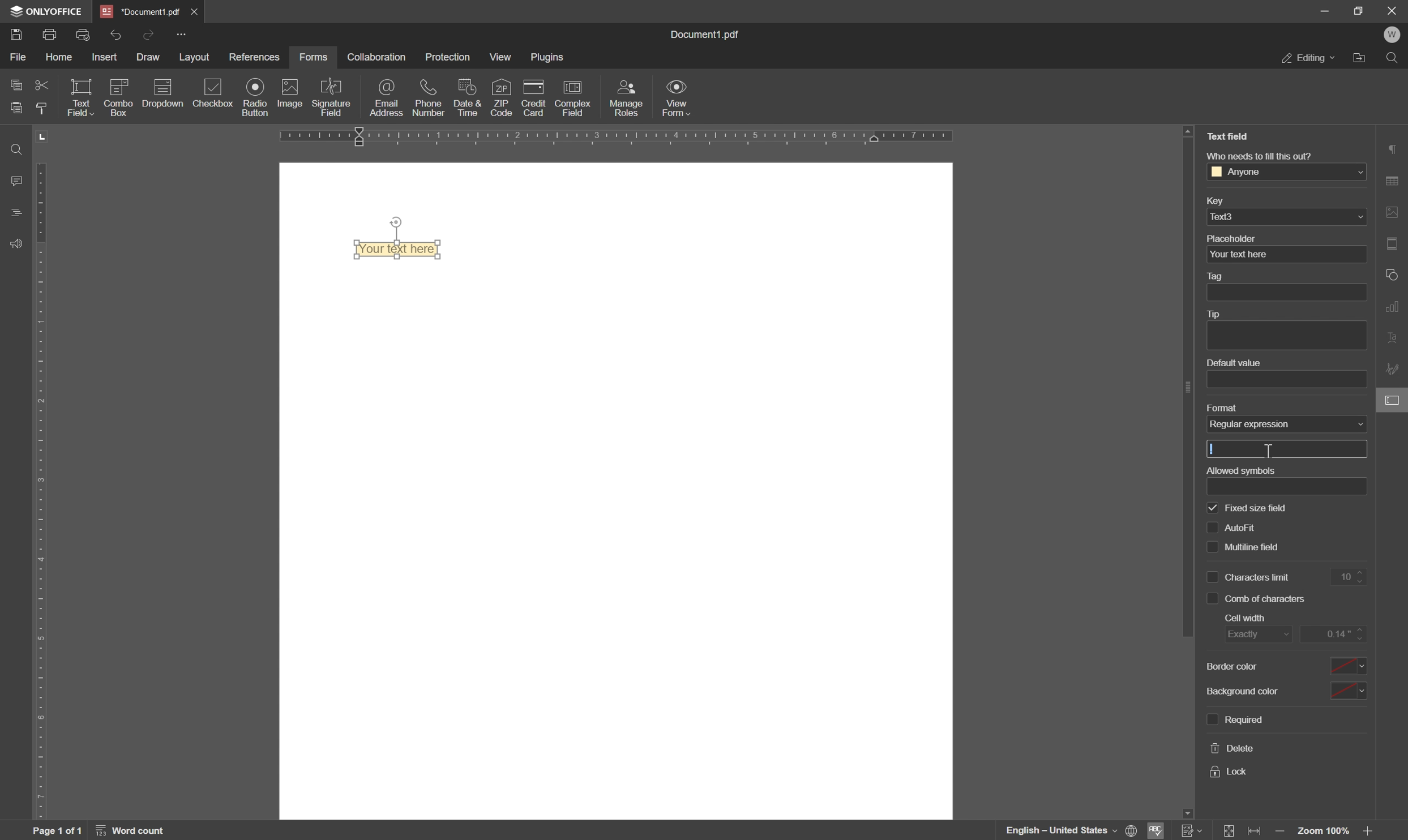  I want to click on cursor, so click(1269, 451).